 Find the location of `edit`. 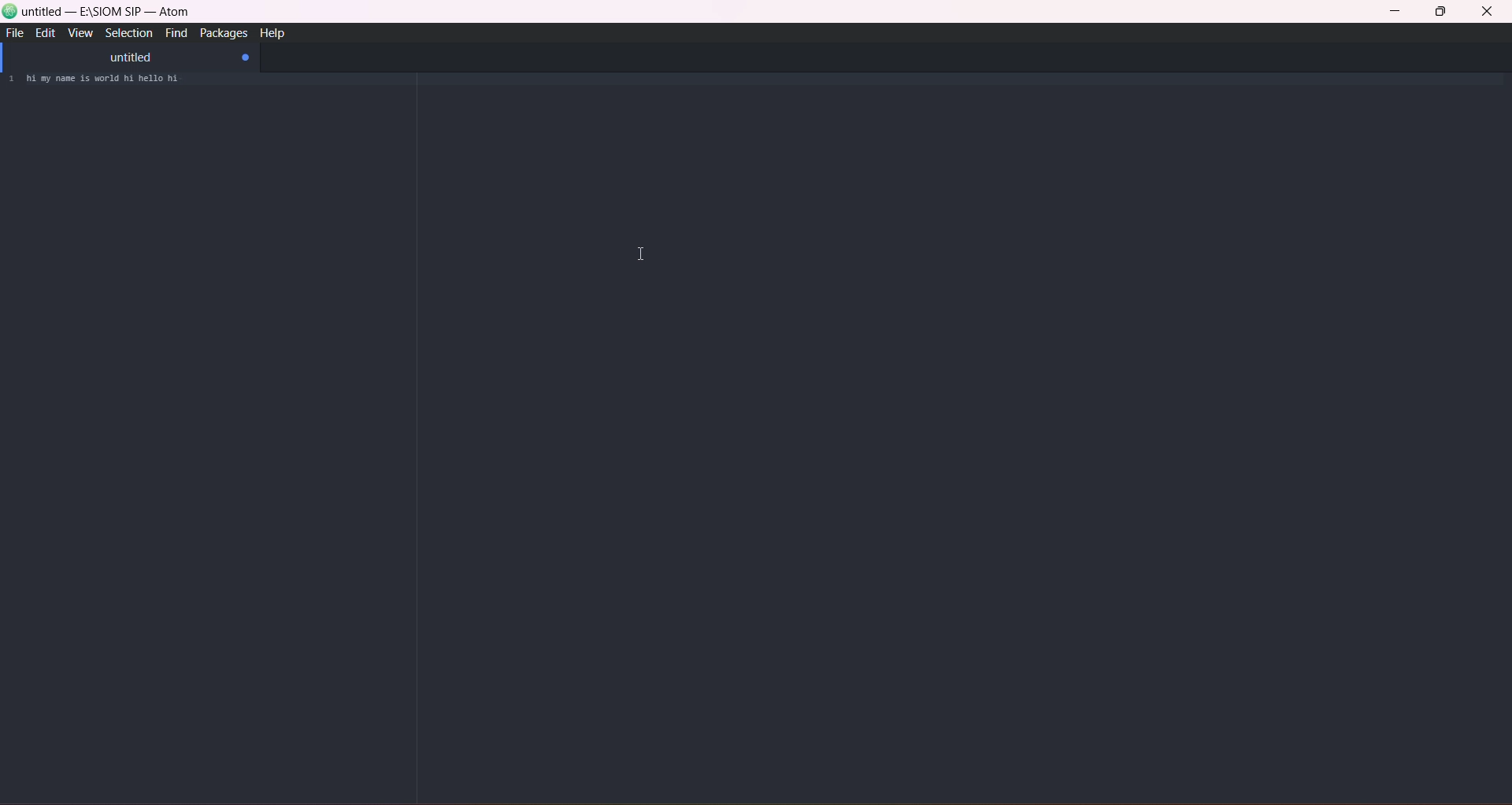

edit is located at coordinates (44, 33).